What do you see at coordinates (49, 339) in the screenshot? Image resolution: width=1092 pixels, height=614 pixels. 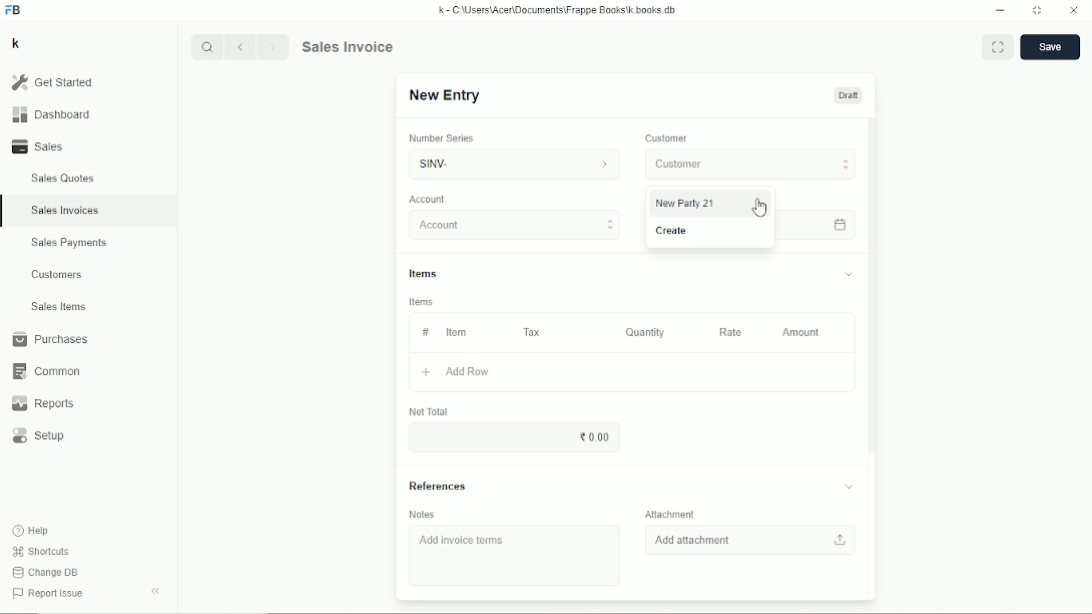 I see `Purchases` at bounding box center [49, 339].